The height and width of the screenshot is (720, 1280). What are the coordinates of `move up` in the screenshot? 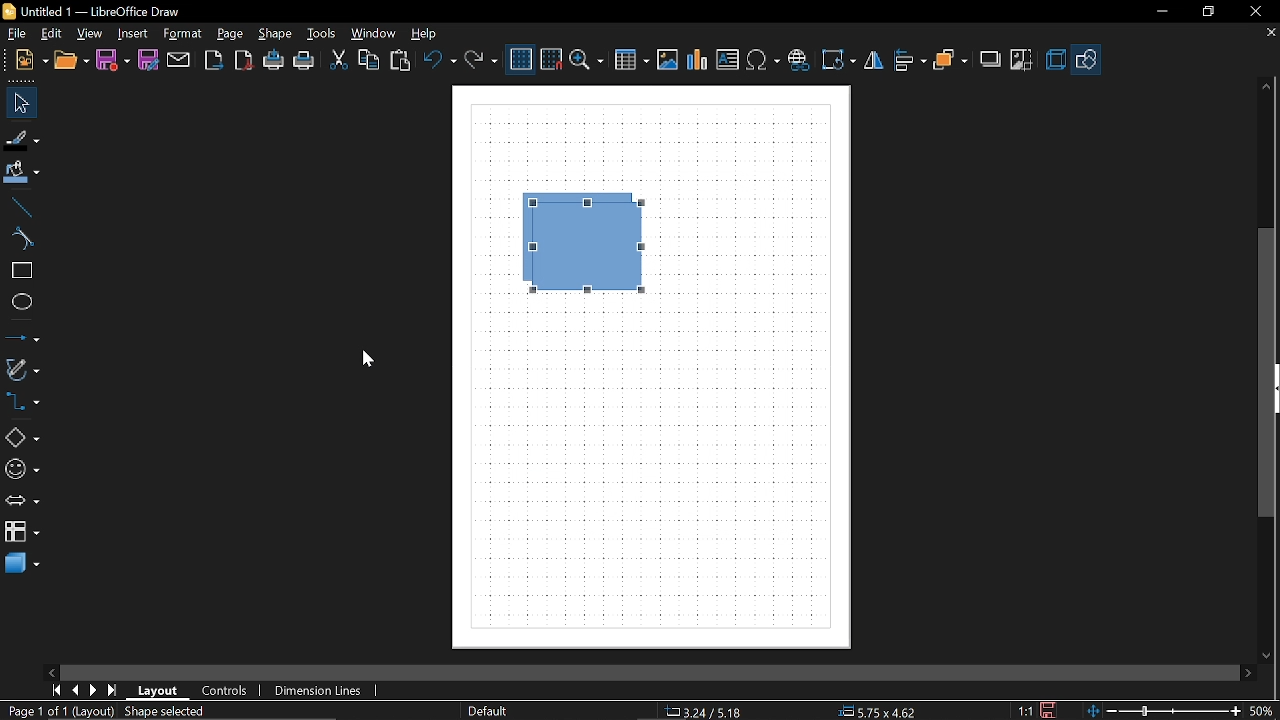 It's located at (1263, 88).